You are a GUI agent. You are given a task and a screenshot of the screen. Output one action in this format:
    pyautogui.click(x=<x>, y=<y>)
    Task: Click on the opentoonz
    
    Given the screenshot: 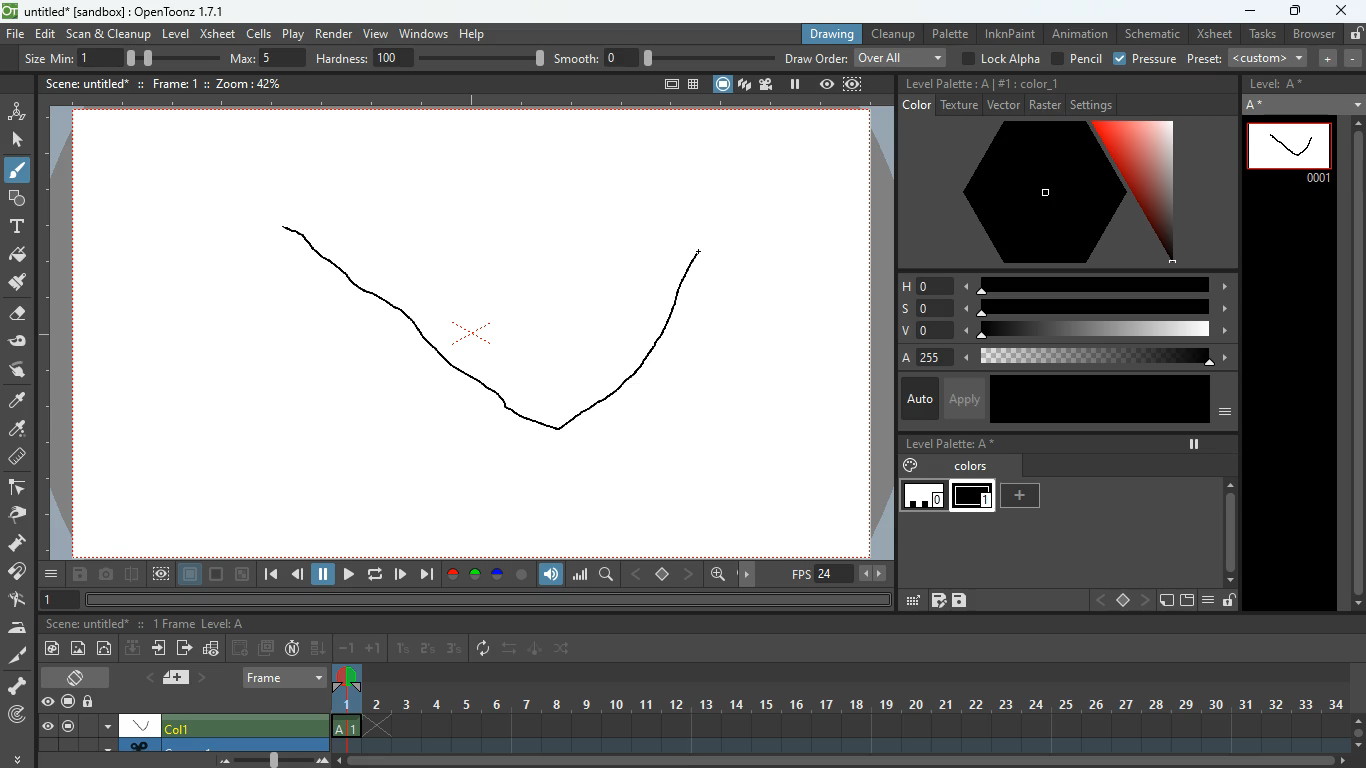 What is the action you would take?
    pyautogui.click(x=118, y=13)
    